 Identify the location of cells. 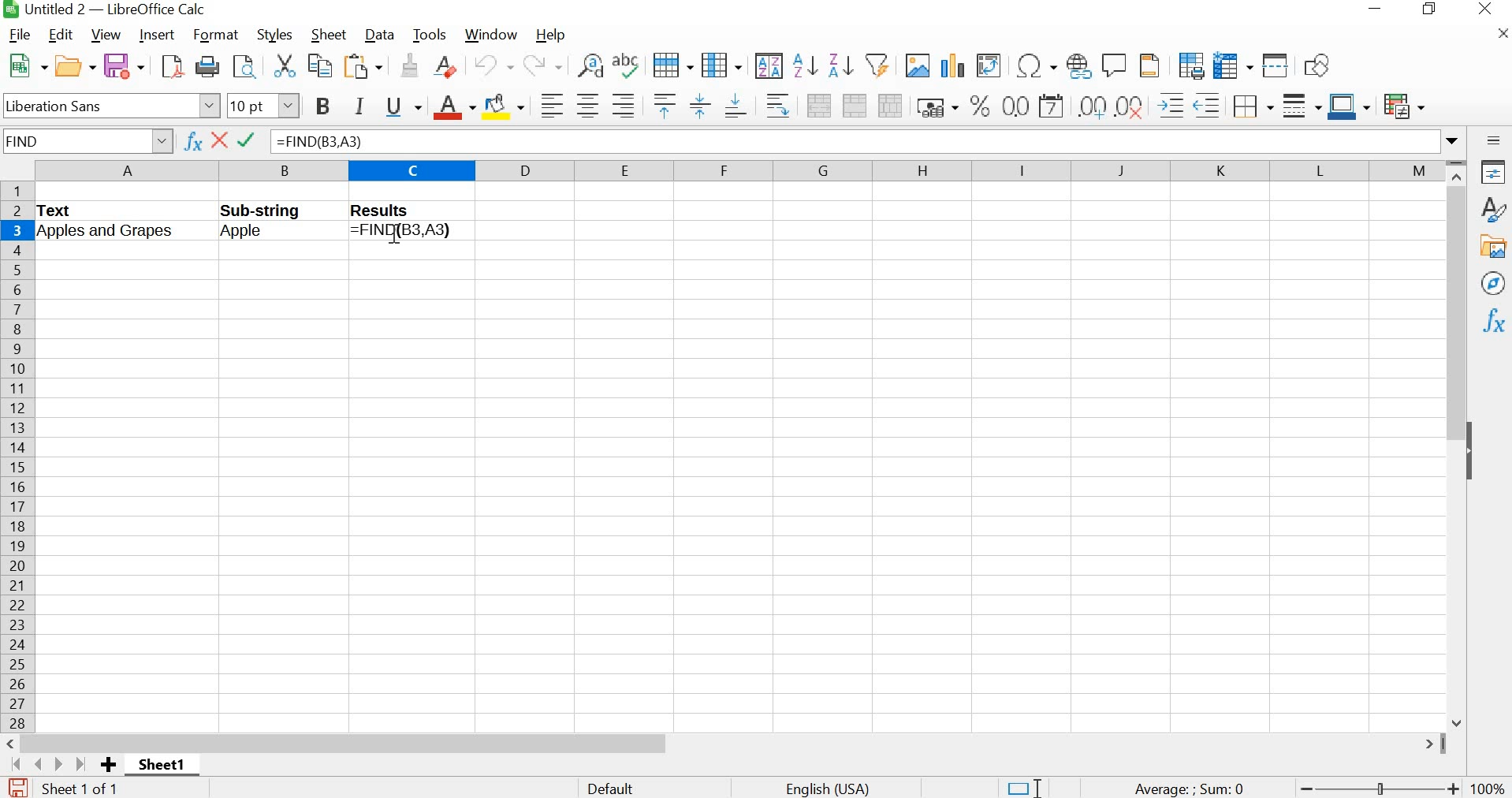
(960, 218).